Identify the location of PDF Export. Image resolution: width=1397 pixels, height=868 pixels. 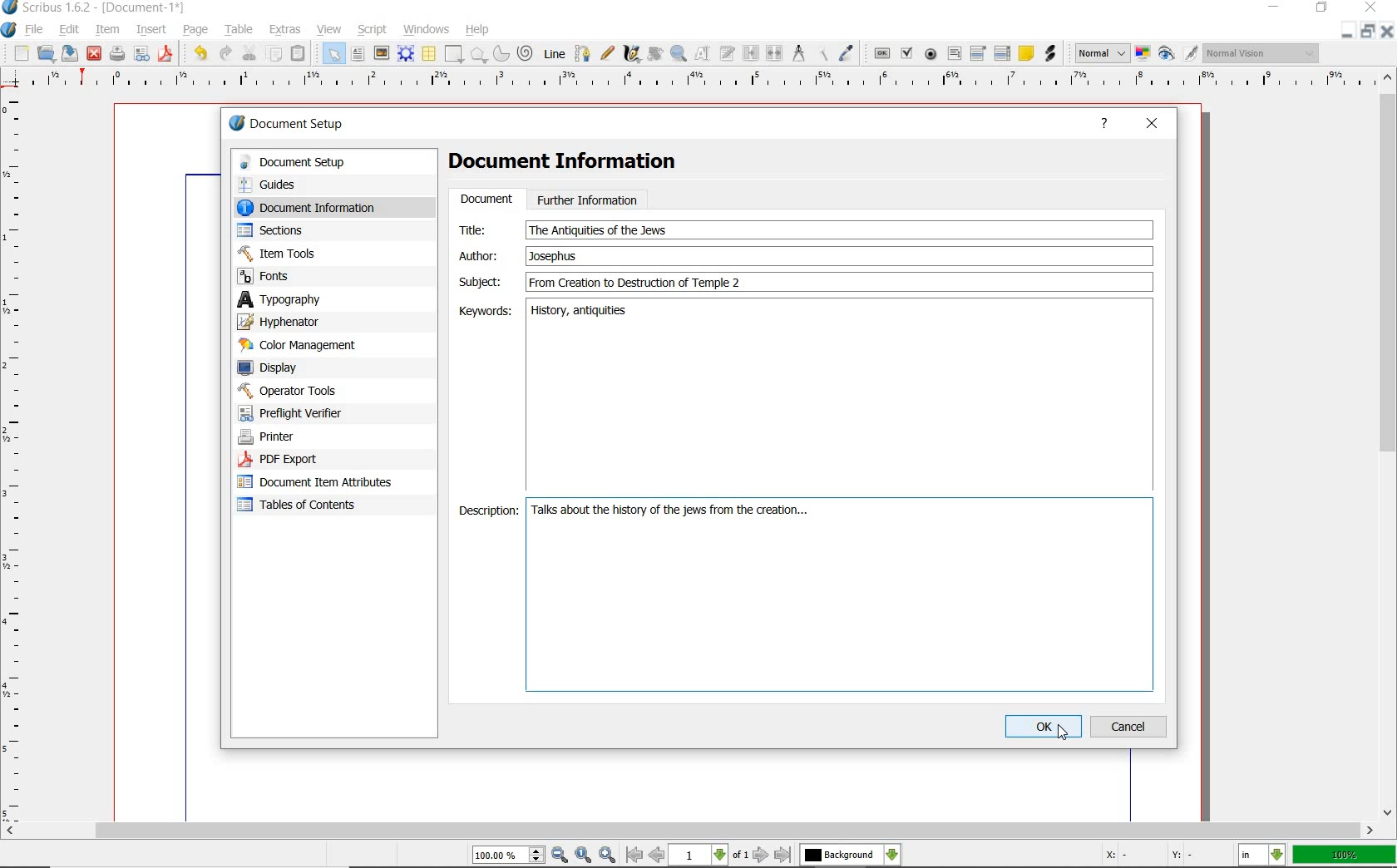
(308, 459).